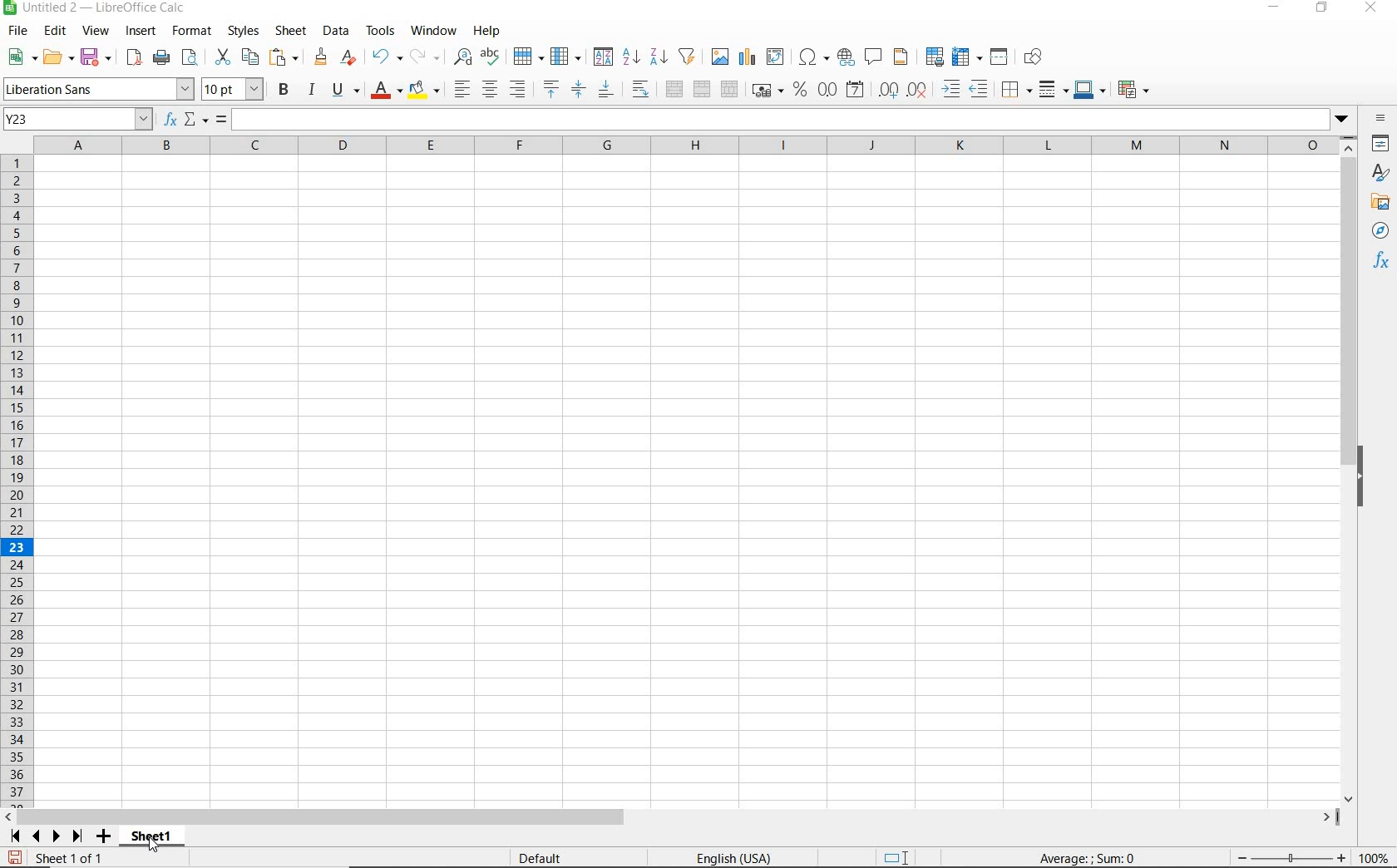 This screenshot has width=1397, height=868. What do you see at coordinates (776, 57) in the screenshot?
I see `INSERT OR EDIT PIVOT TABLE` at bounding box center [776, 57].